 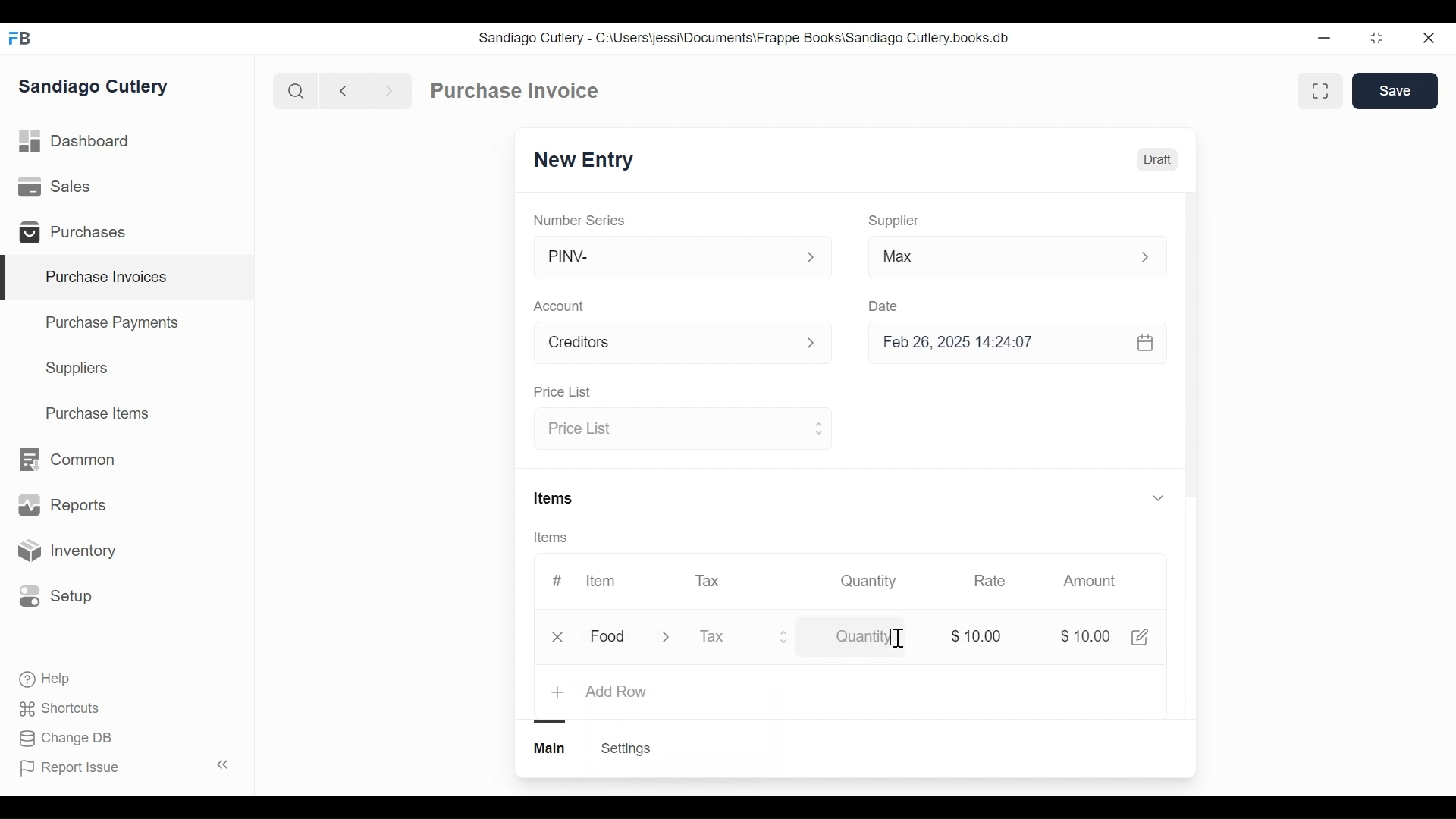 What do you see at coordinates (884, 306) in the screenshot?
I see `Date` at bounding box center [884, 306].